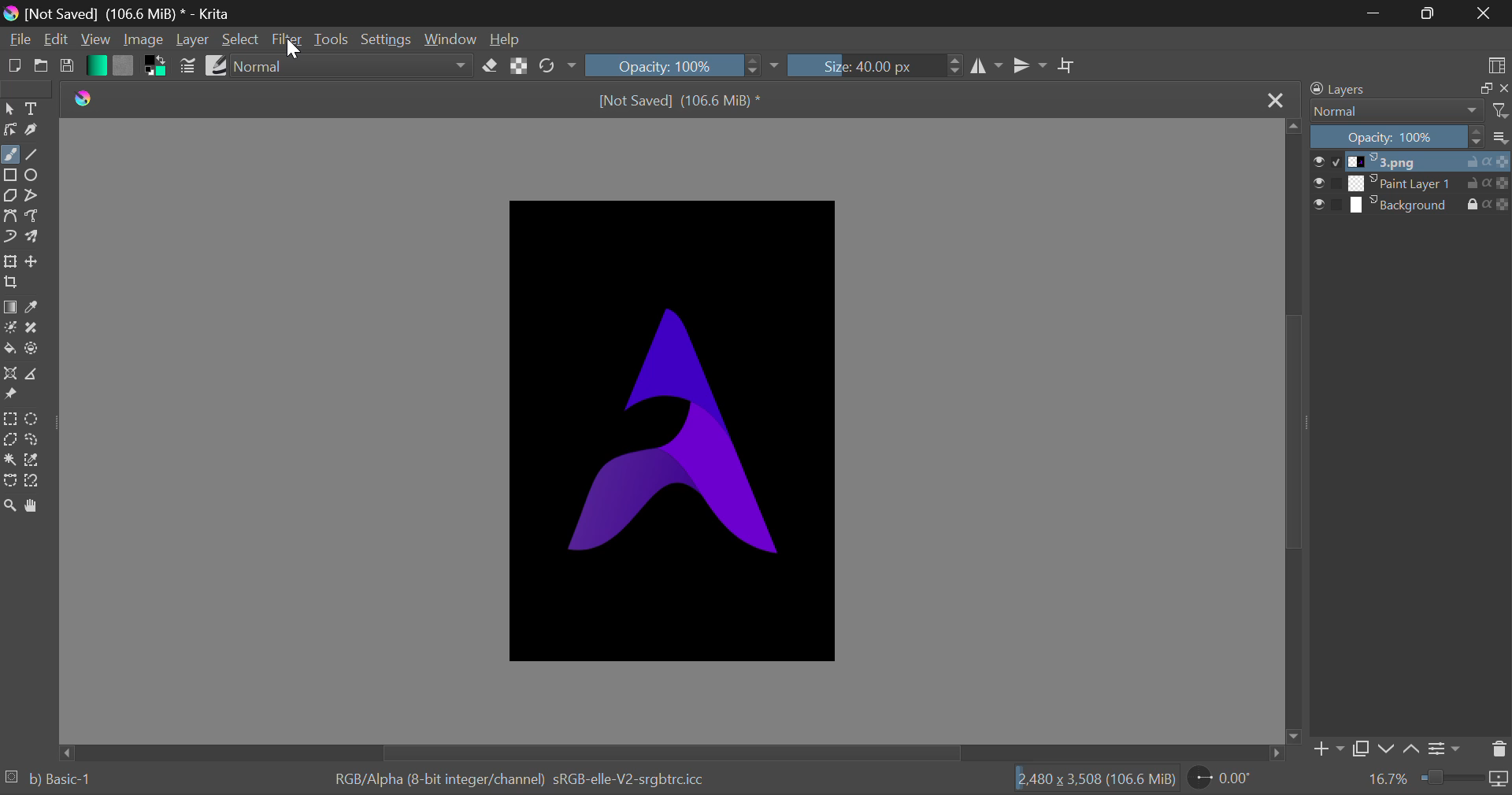  I want to click on View, so click(95, 41).